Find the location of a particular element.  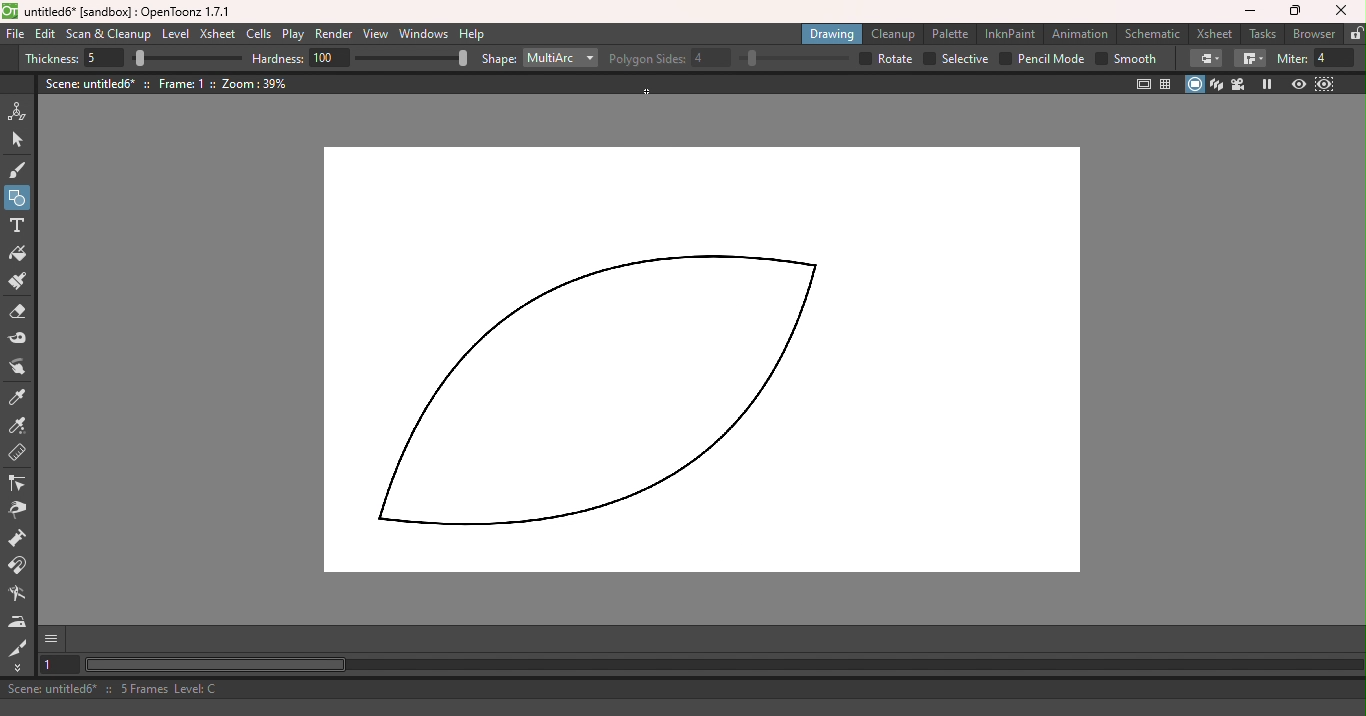

Magnet tool is located at coordinates (20, 567).